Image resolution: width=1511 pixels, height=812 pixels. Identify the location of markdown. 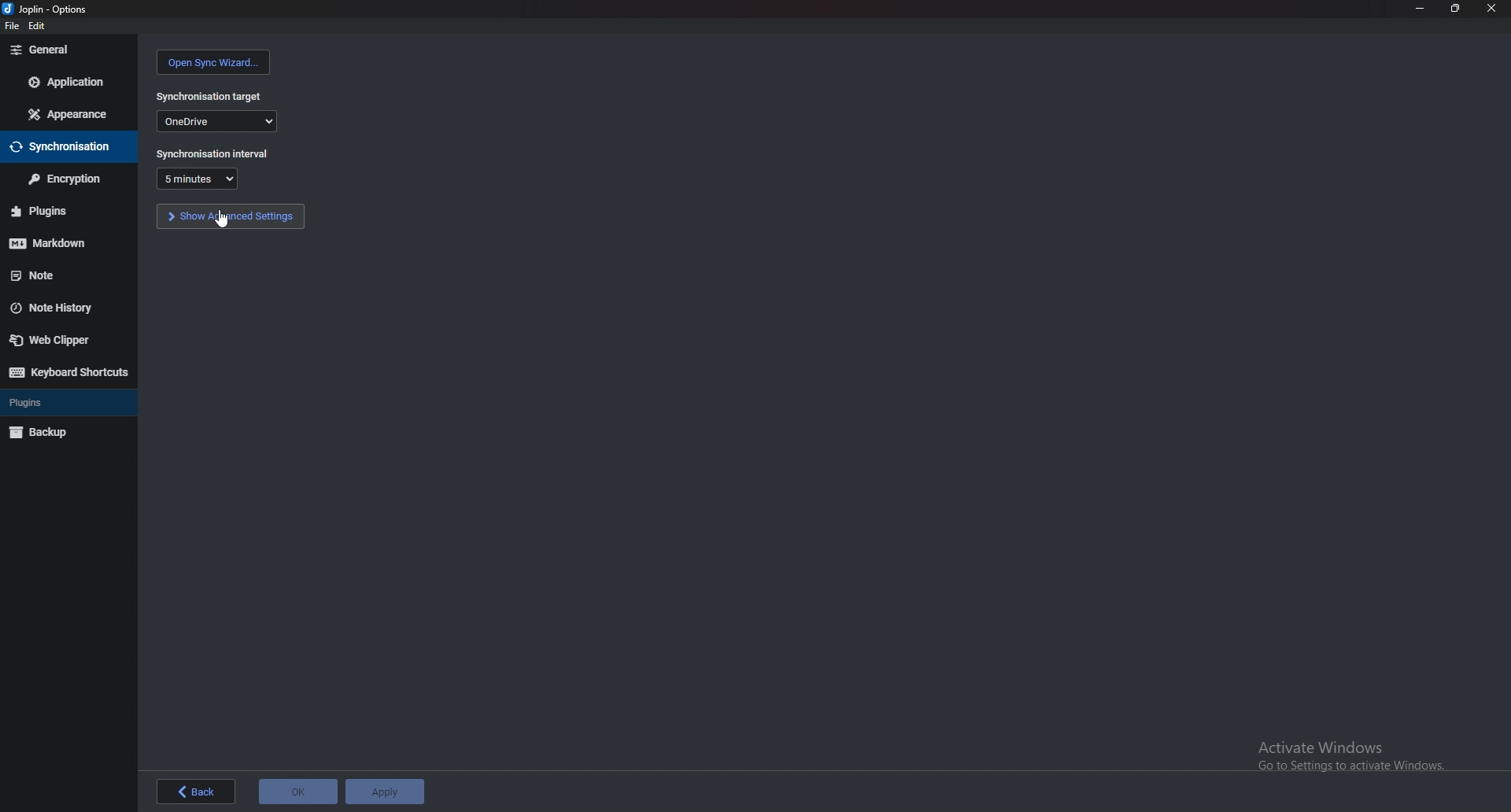
(61, 244).